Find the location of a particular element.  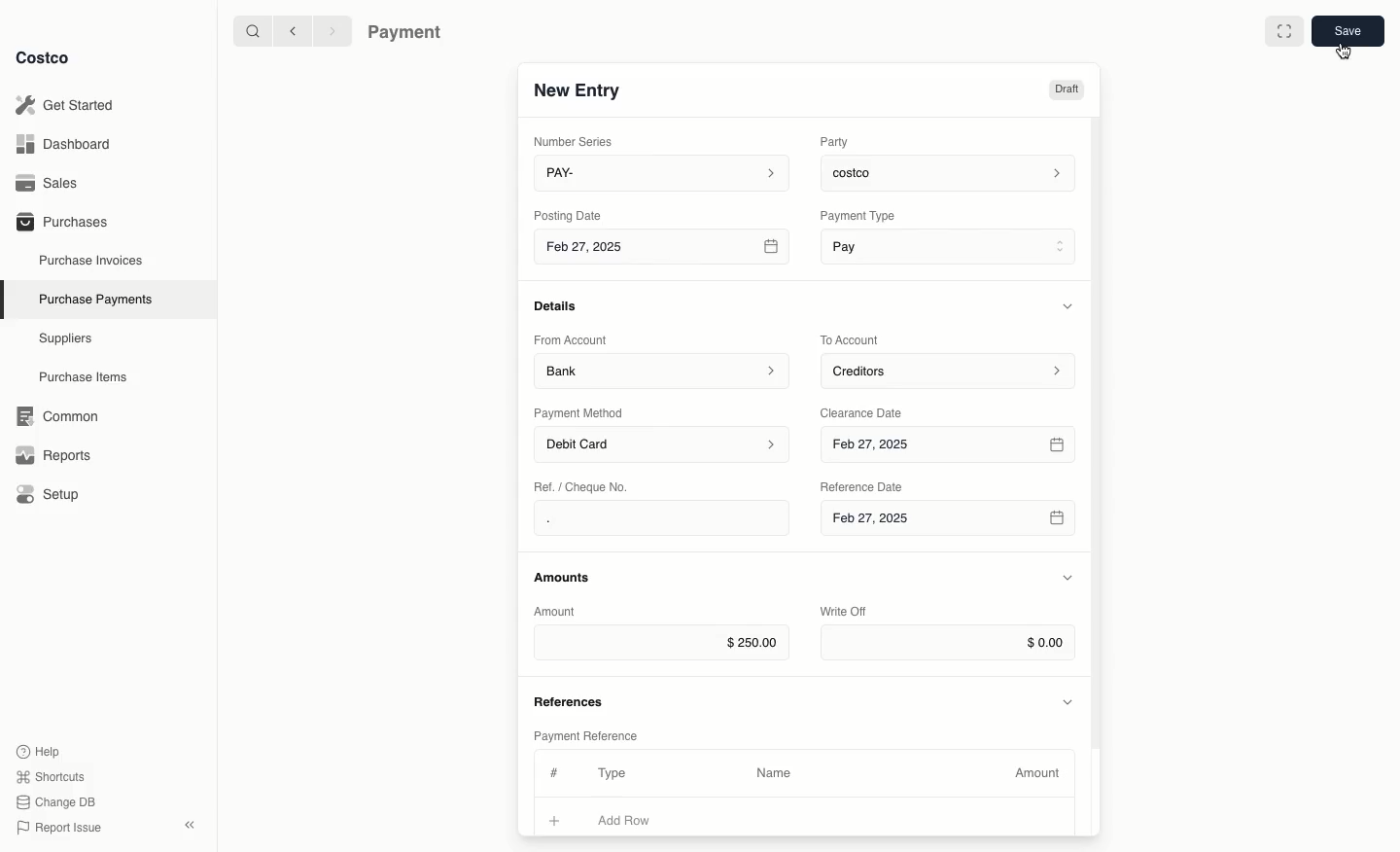

Report Issue is located at coordinates (59, 829).